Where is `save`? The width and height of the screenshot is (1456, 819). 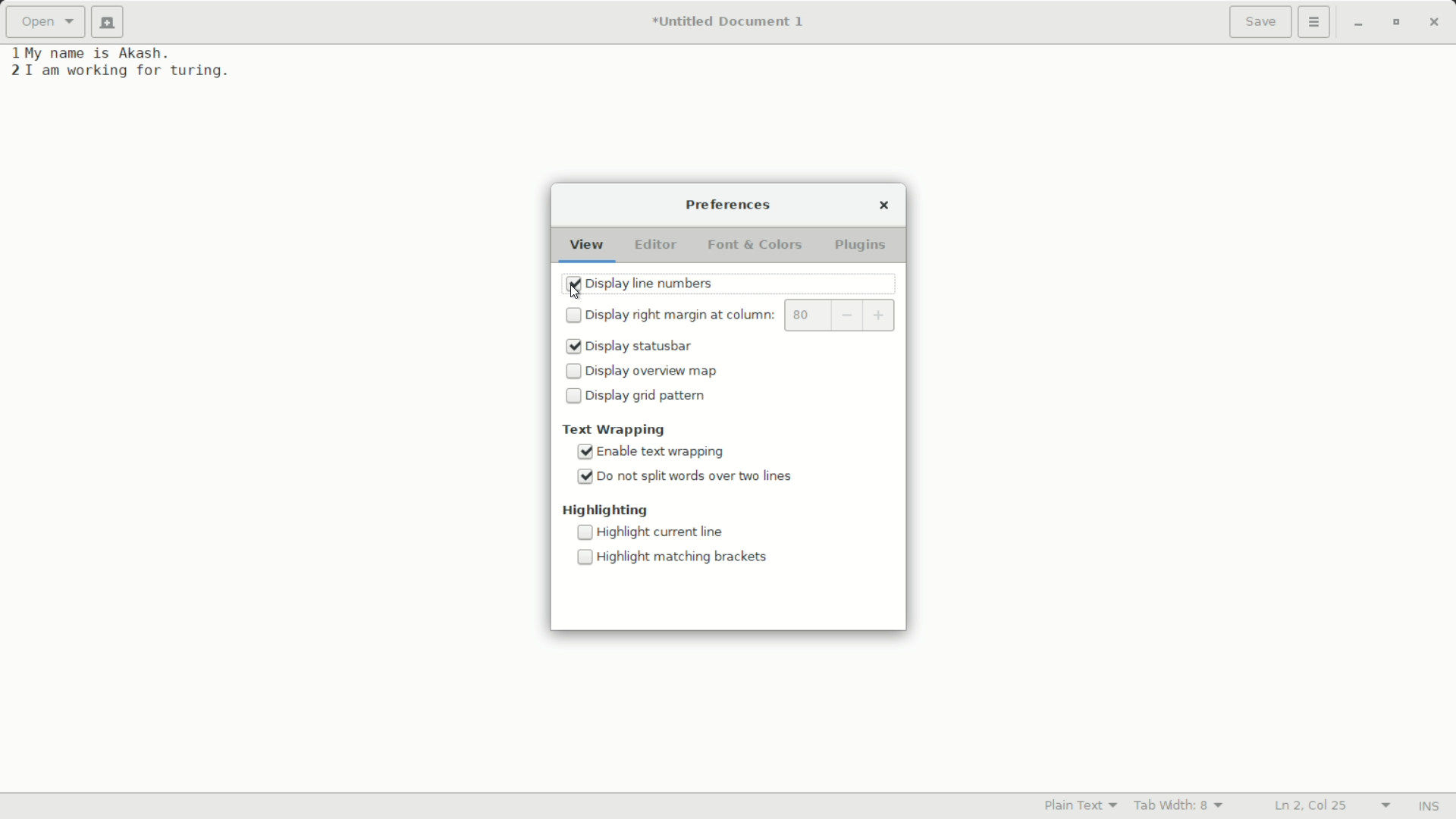 save is located at coordinates (1261, 24).